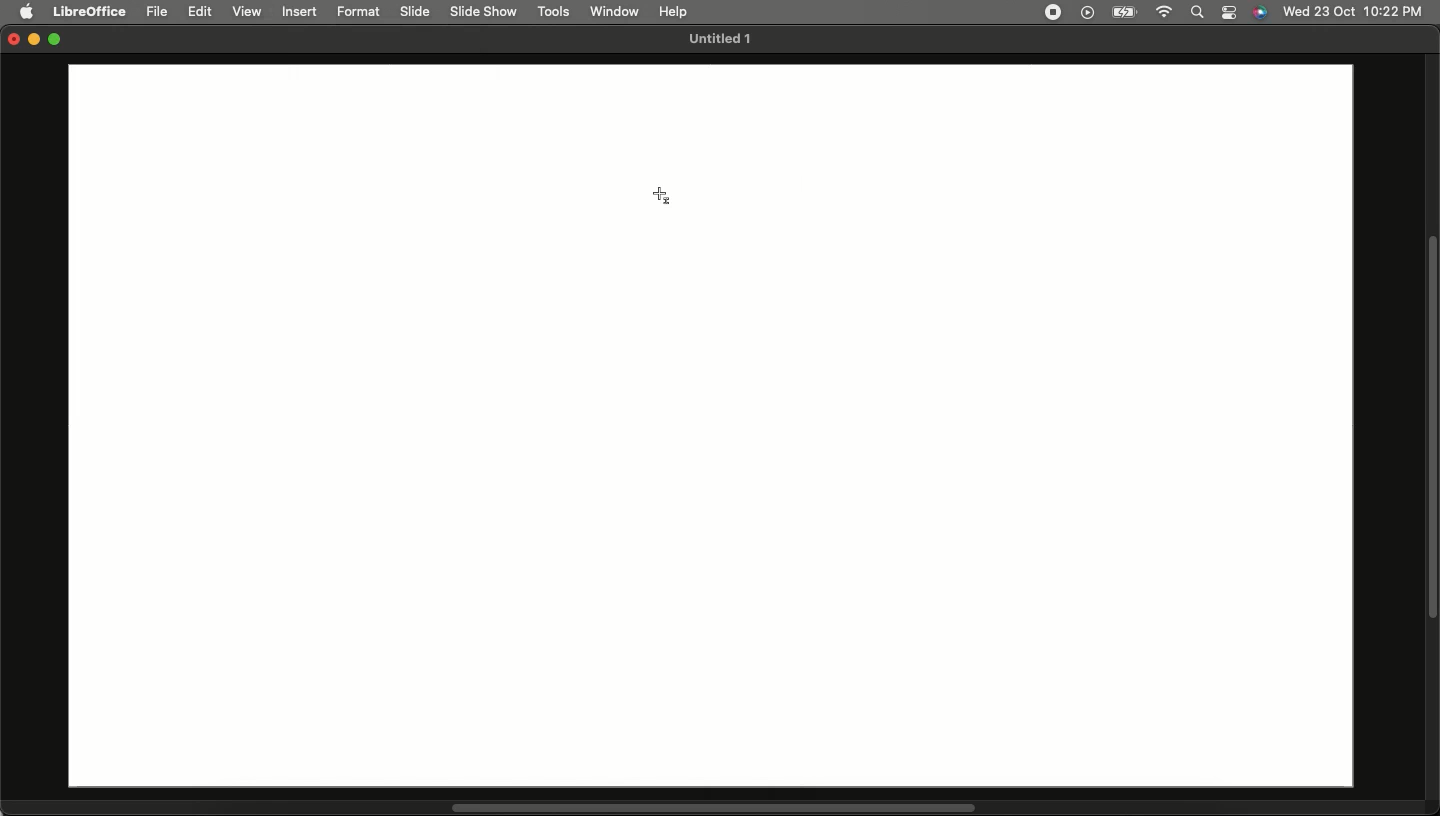  I want to click on Close, so click(10, 41).